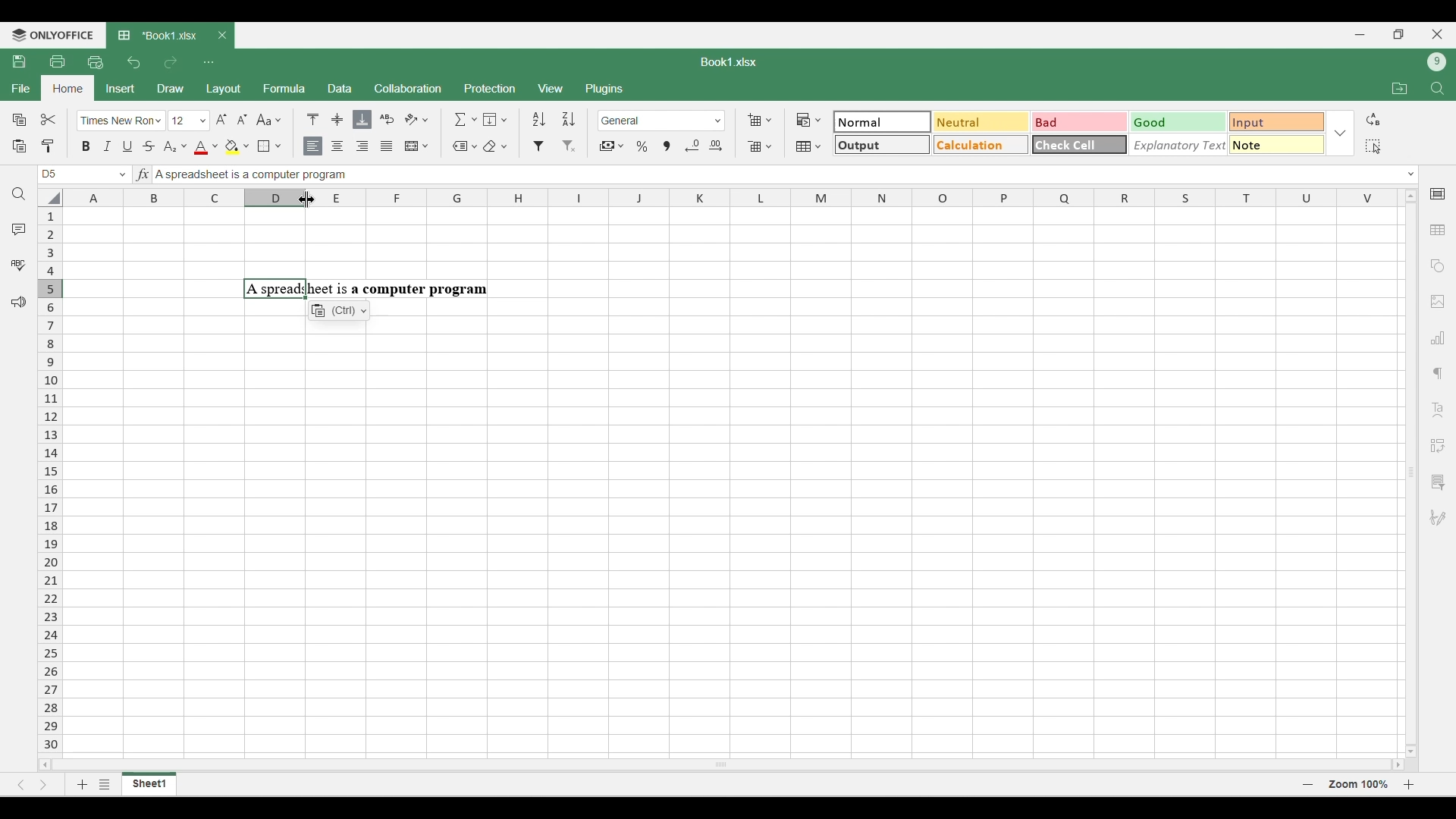 This screenshot has width=1456, height=819. I want to click on Text font options, so click(121, 121).